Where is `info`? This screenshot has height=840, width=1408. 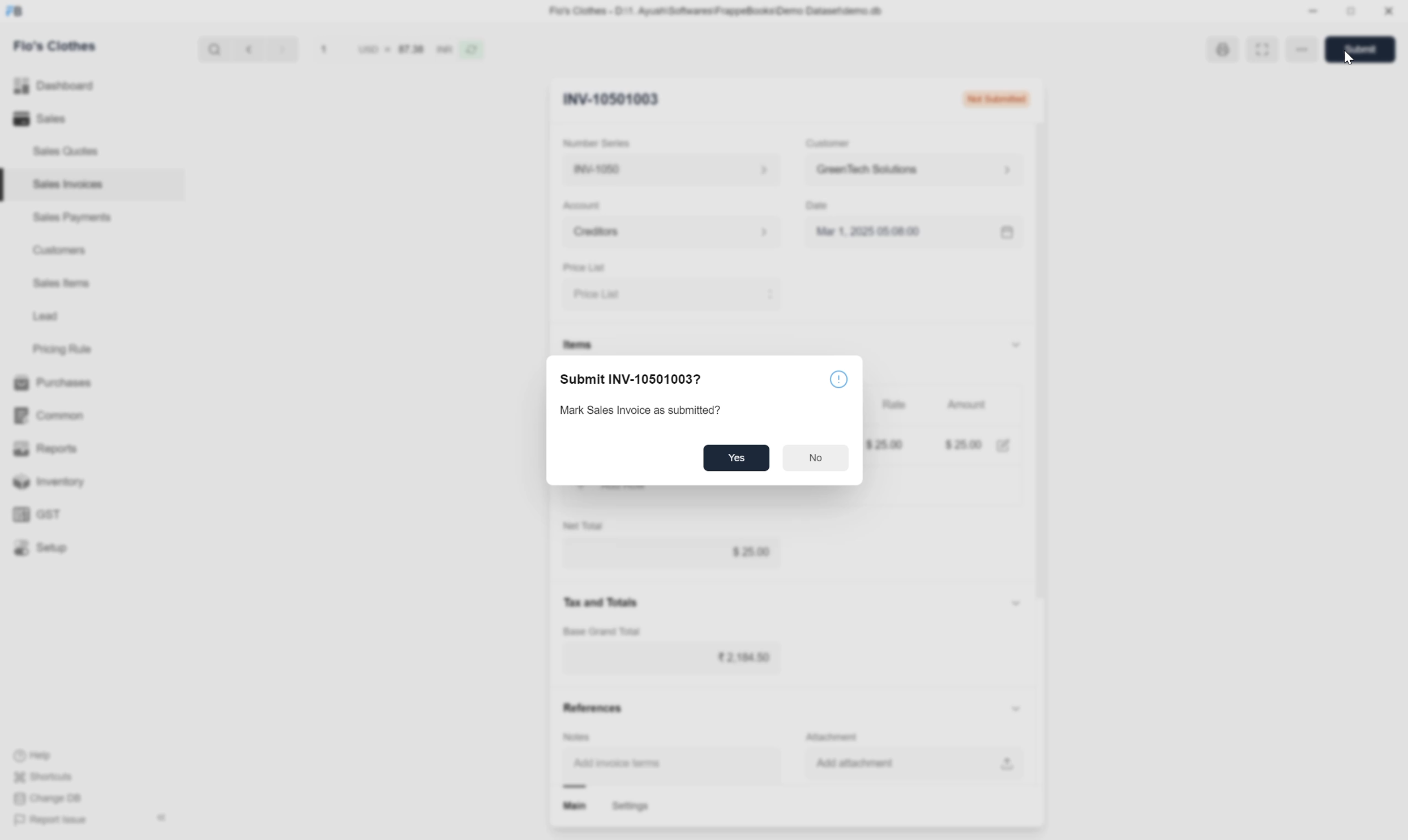 info is located at coordinates (840, 378).